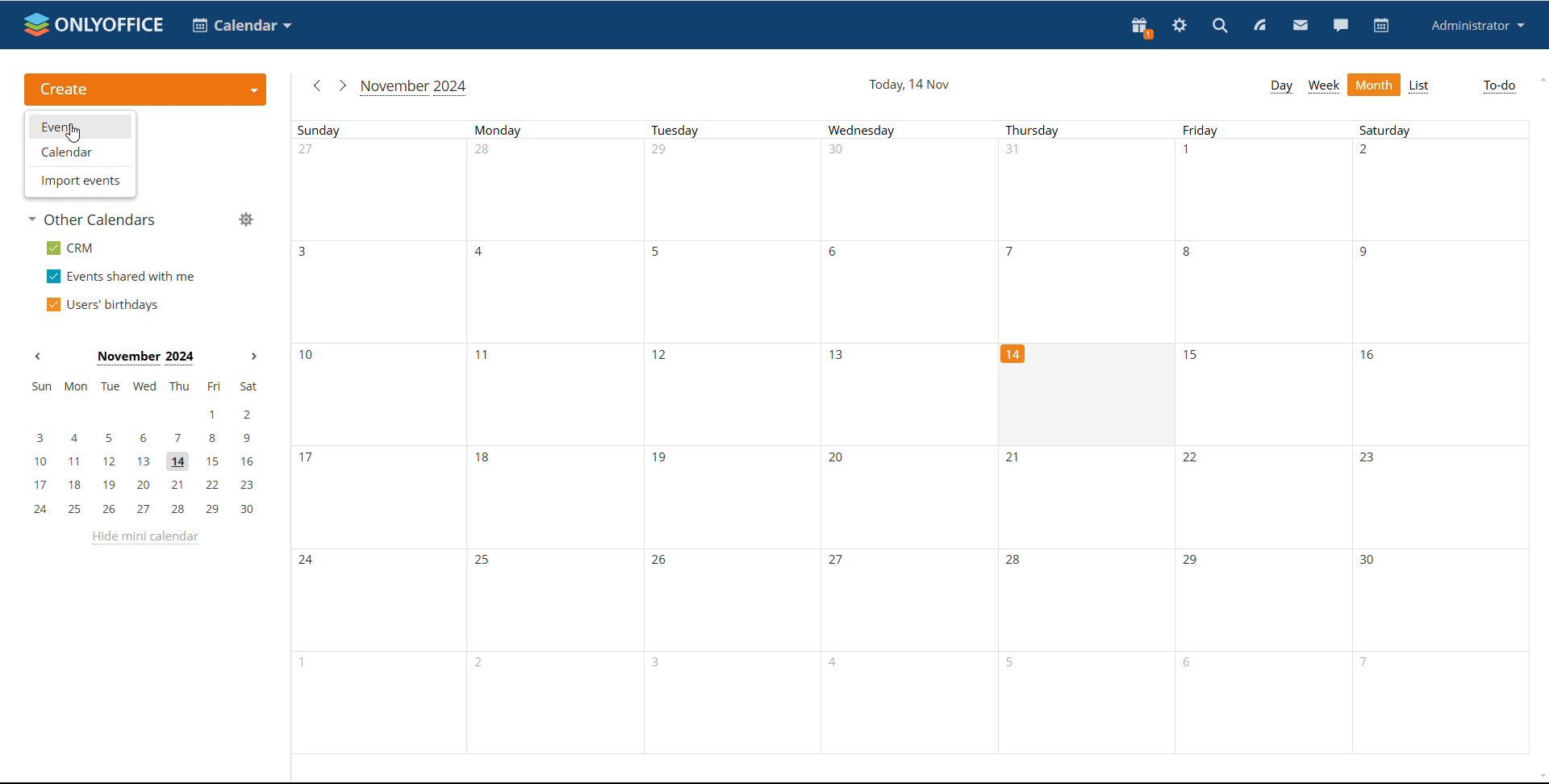  Describe the element at coordinates (1539, 775) in the screenshot. I see `scroll down` at that location.